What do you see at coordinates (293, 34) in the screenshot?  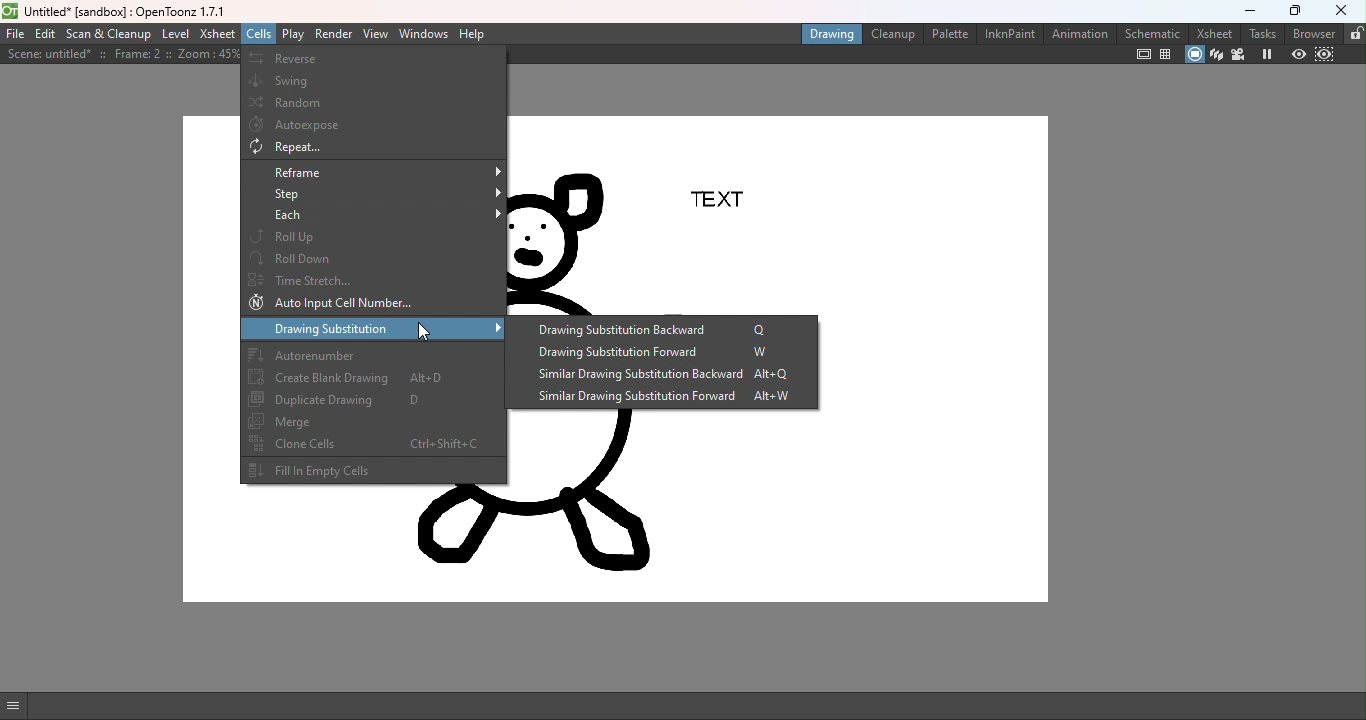 I see `Play` at bounding box center [293, 34].